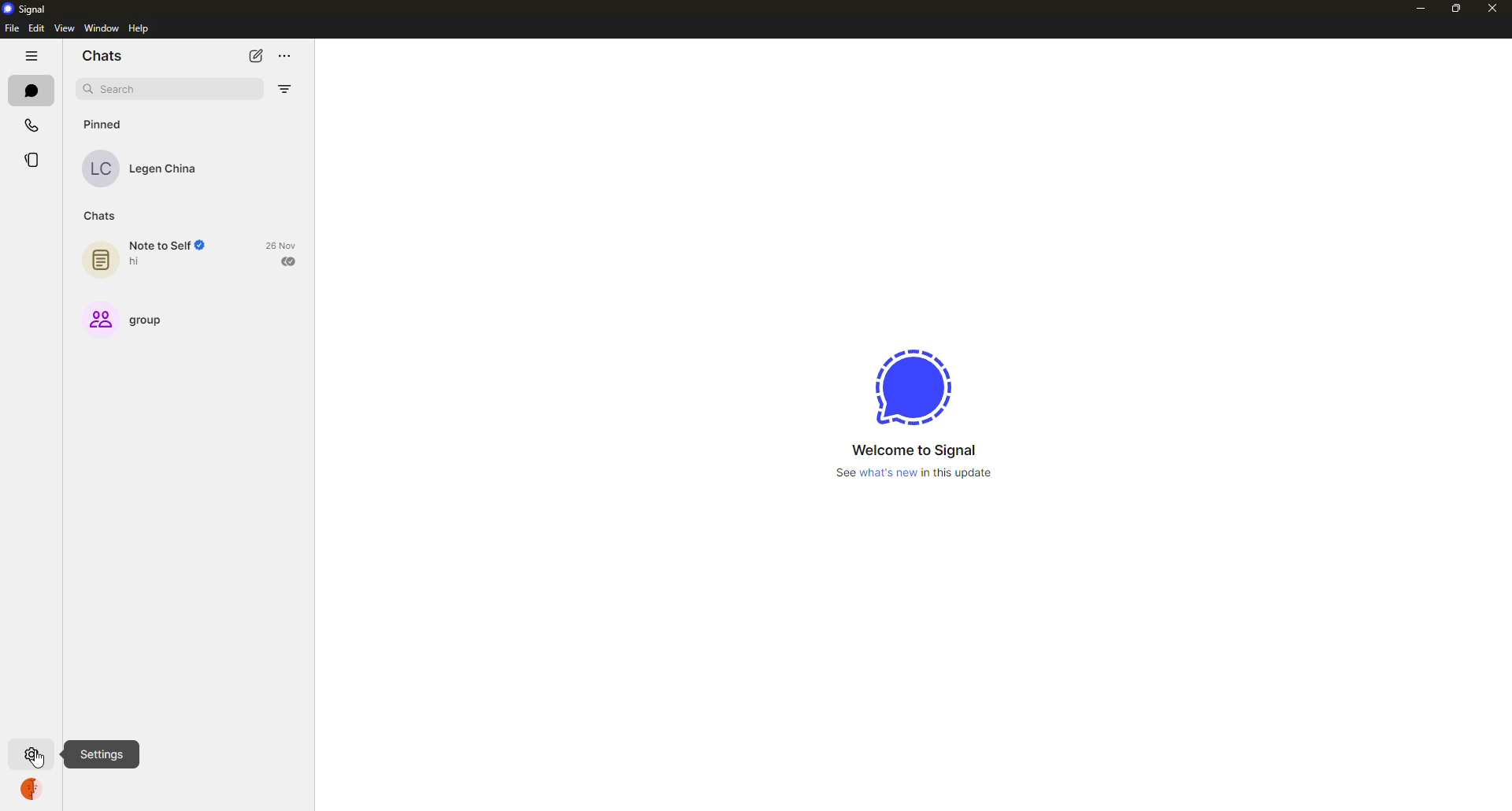 This screenshot has width=1512, height=811. What do you see at coordinates (1420, 8) in the screenshot?
I see `minimize` at bounding box center [1420, 8].